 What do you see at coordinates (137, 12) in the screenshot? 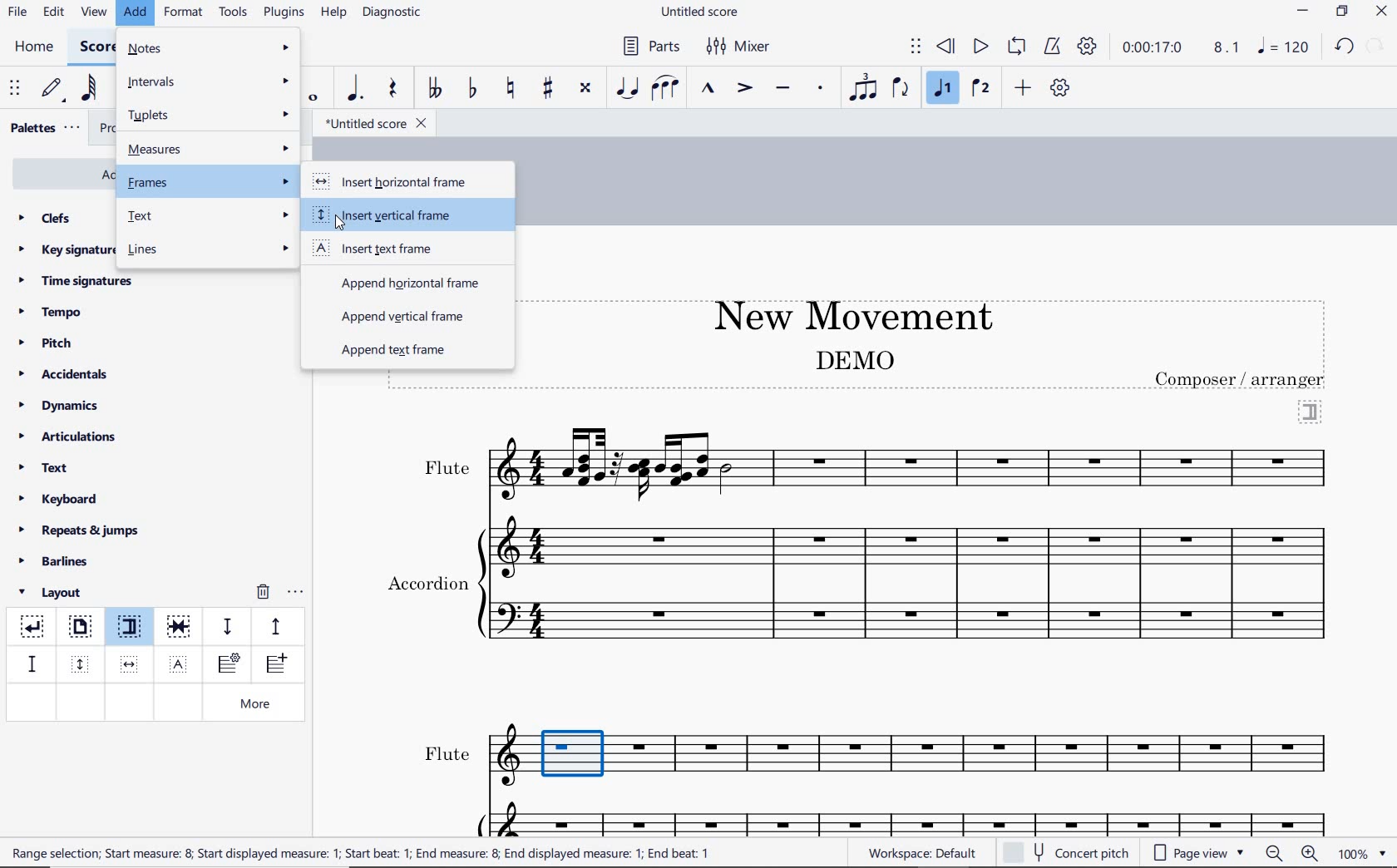
I see `add ` at bounding box center [137, 12].